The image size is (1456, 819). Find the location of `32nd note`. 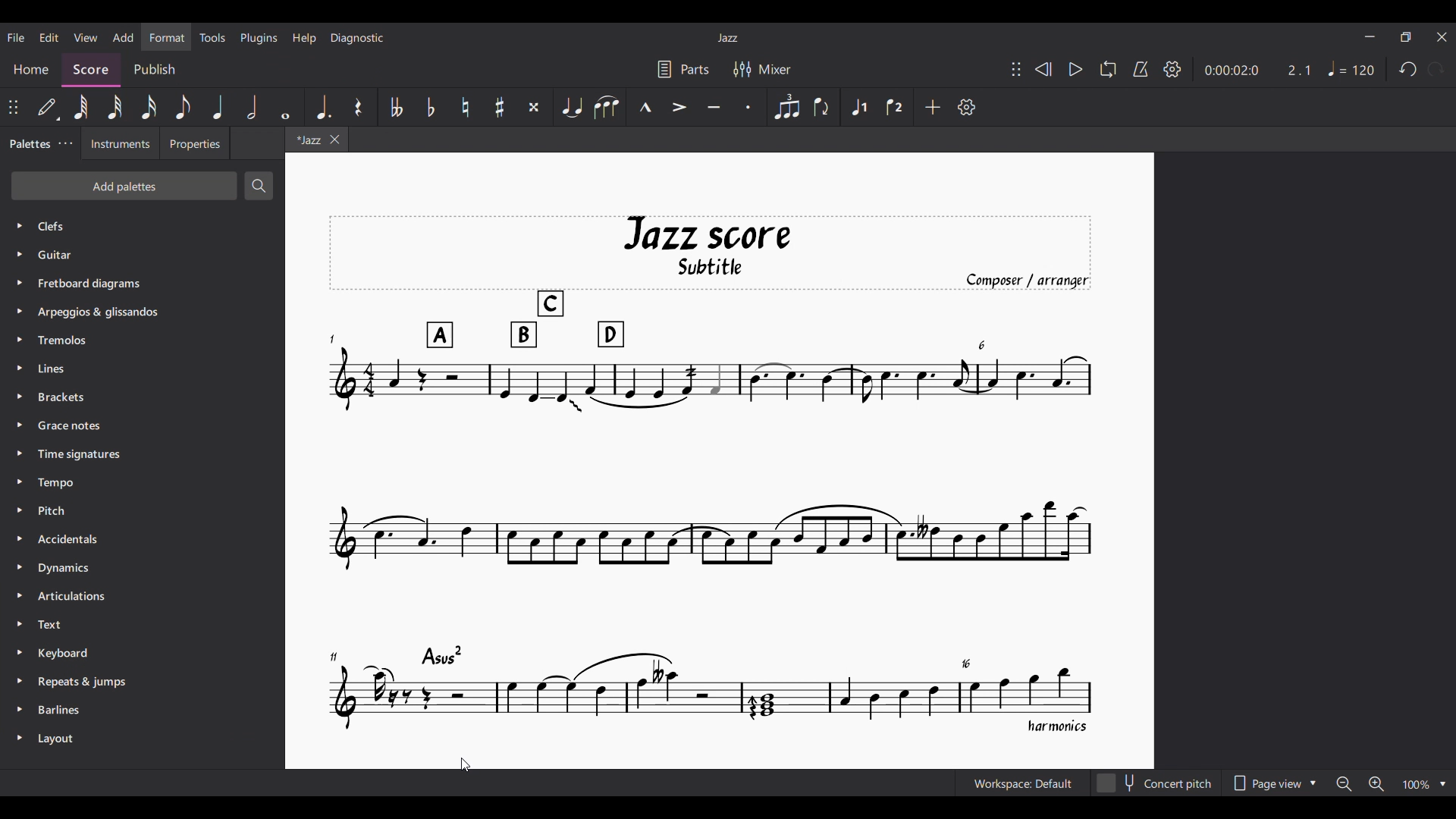

32nd note is located at coordinates (115, 107).